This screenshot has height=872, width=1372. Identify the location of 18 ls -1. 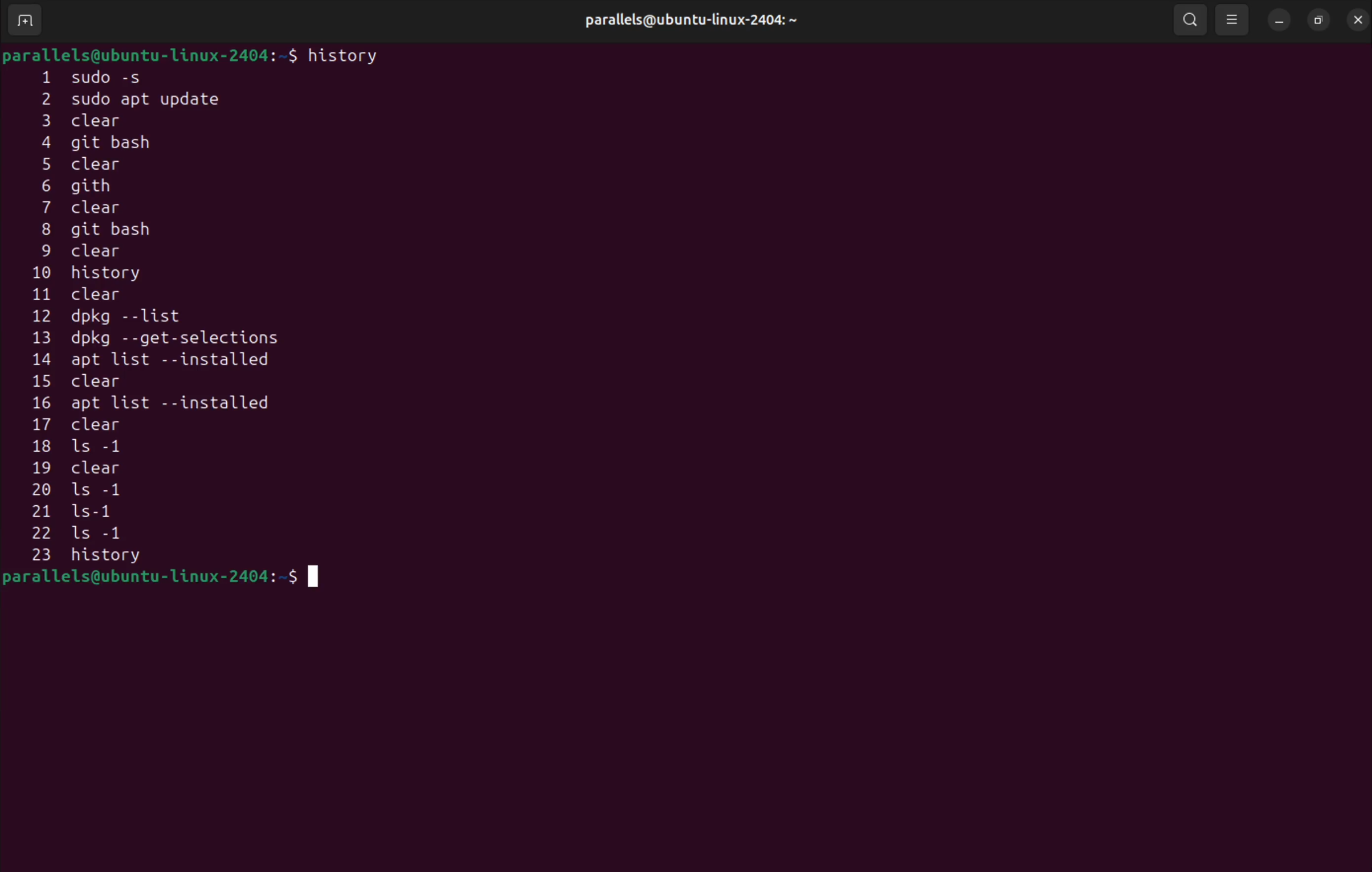
(86, 447).